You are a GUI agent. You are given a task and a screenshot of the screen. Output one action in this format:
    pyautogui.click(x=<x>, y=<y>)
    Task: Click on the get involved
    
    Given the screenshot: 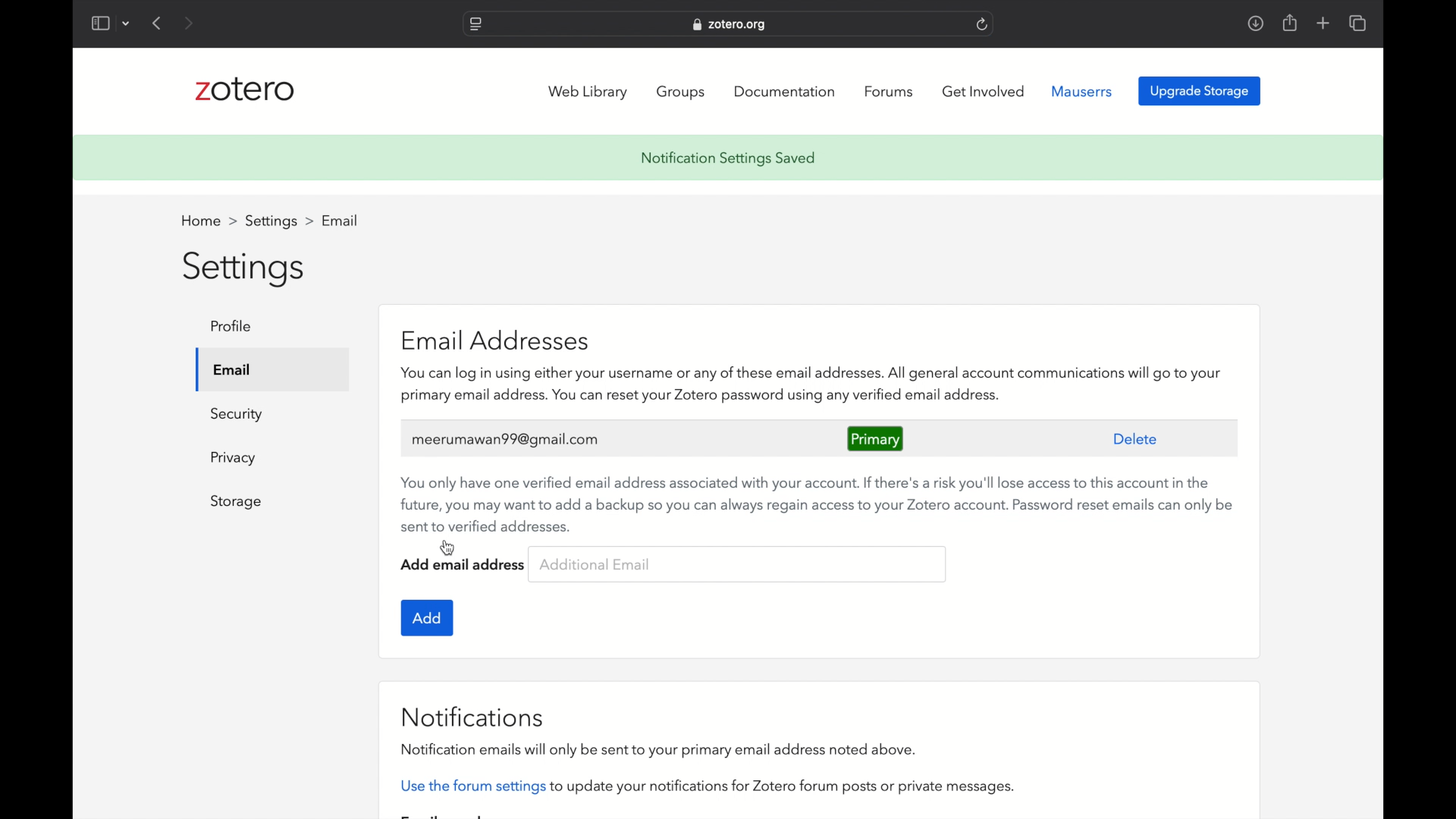 What is the action you would take?
    pyautogui.click(x=984, y=92)
    